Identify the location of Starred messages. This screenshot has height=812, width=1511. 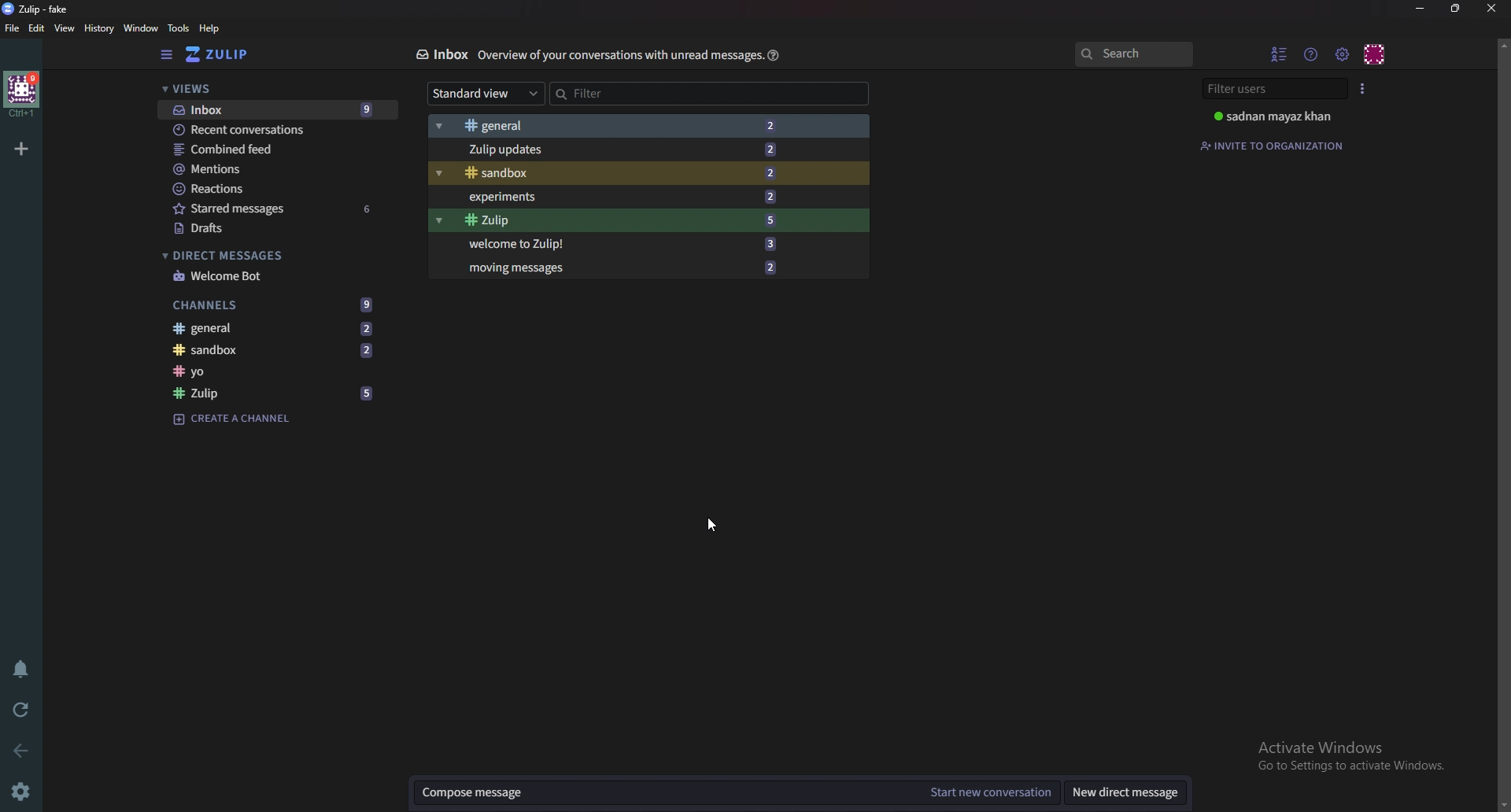
(271, 209).